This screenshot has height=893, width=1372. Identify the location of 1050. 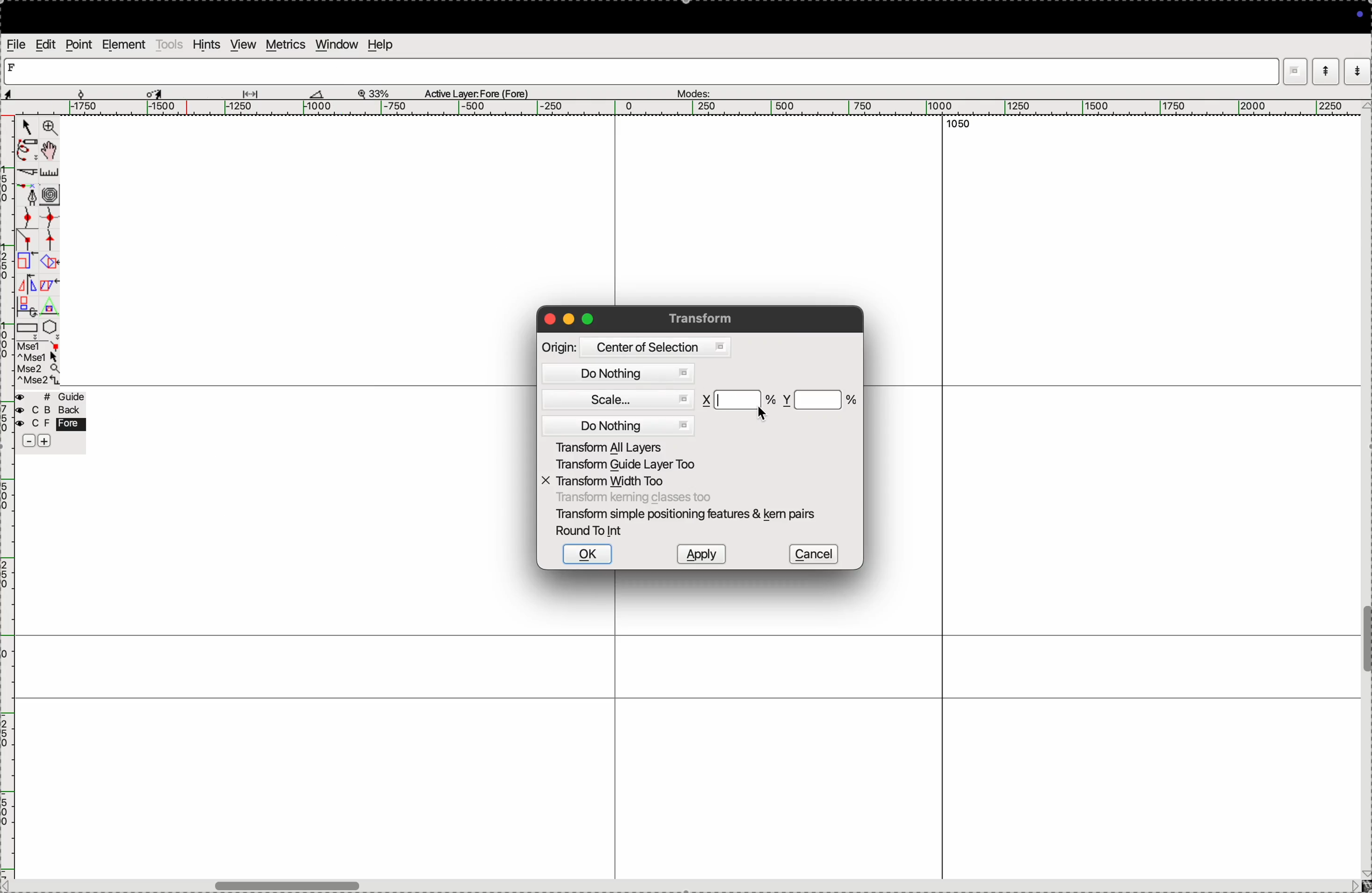
(955, 125).